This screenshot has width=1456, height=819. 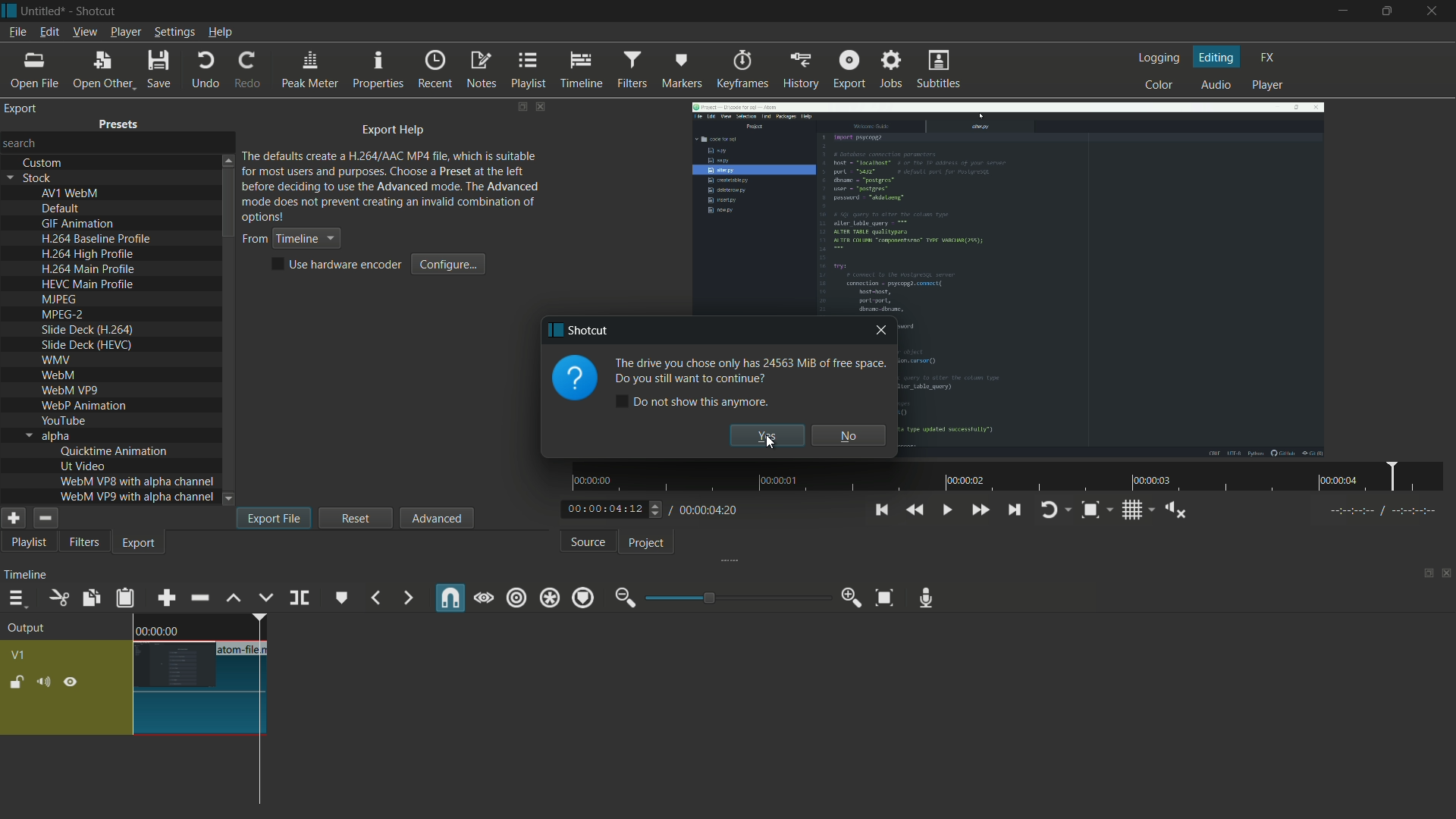 What do you see at coordinates (228, 499) in the screenshot?
I see `dropdown` at bounding box center [228, 499].